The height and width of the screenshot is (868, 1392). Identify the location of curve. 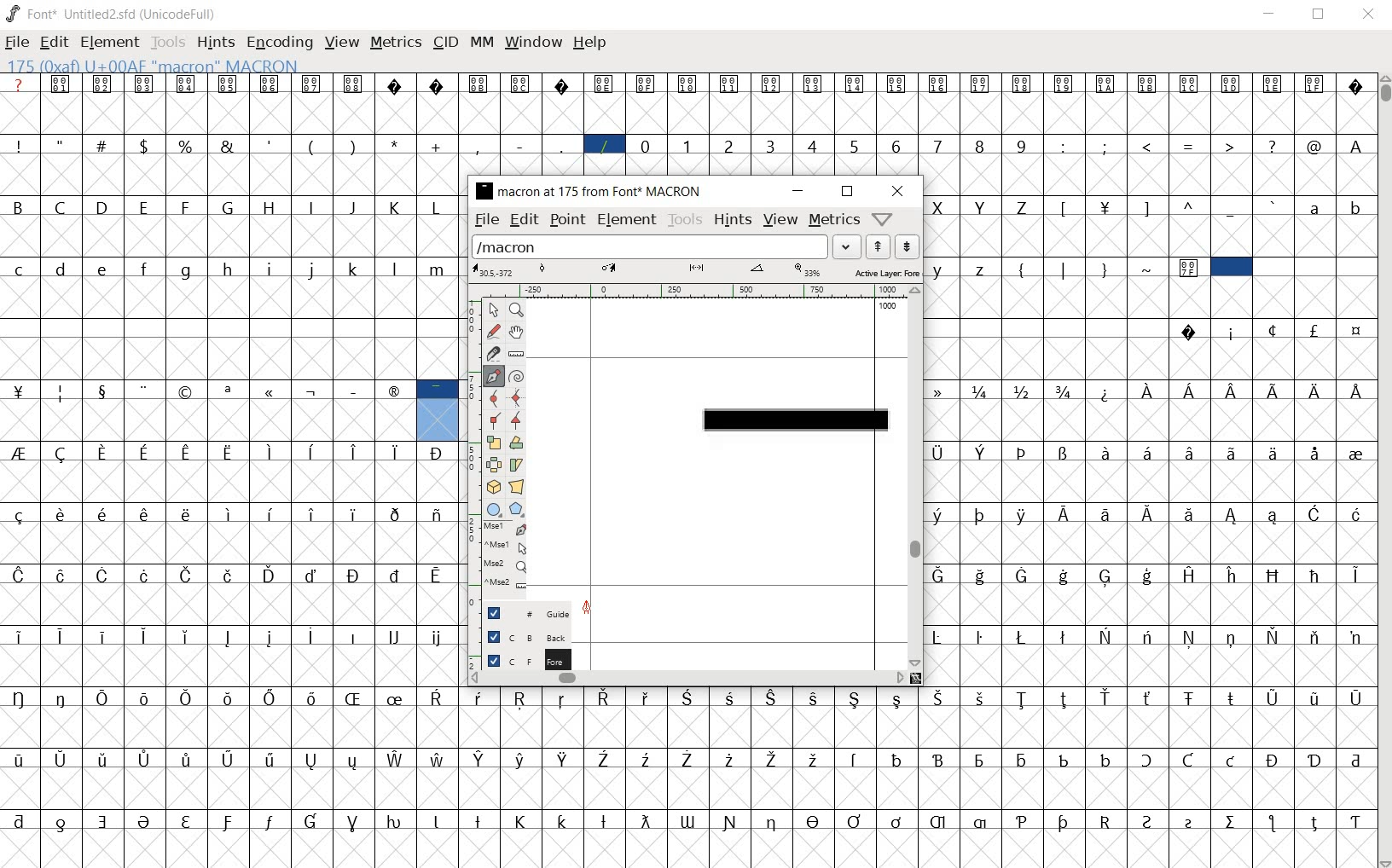
(490, 398).